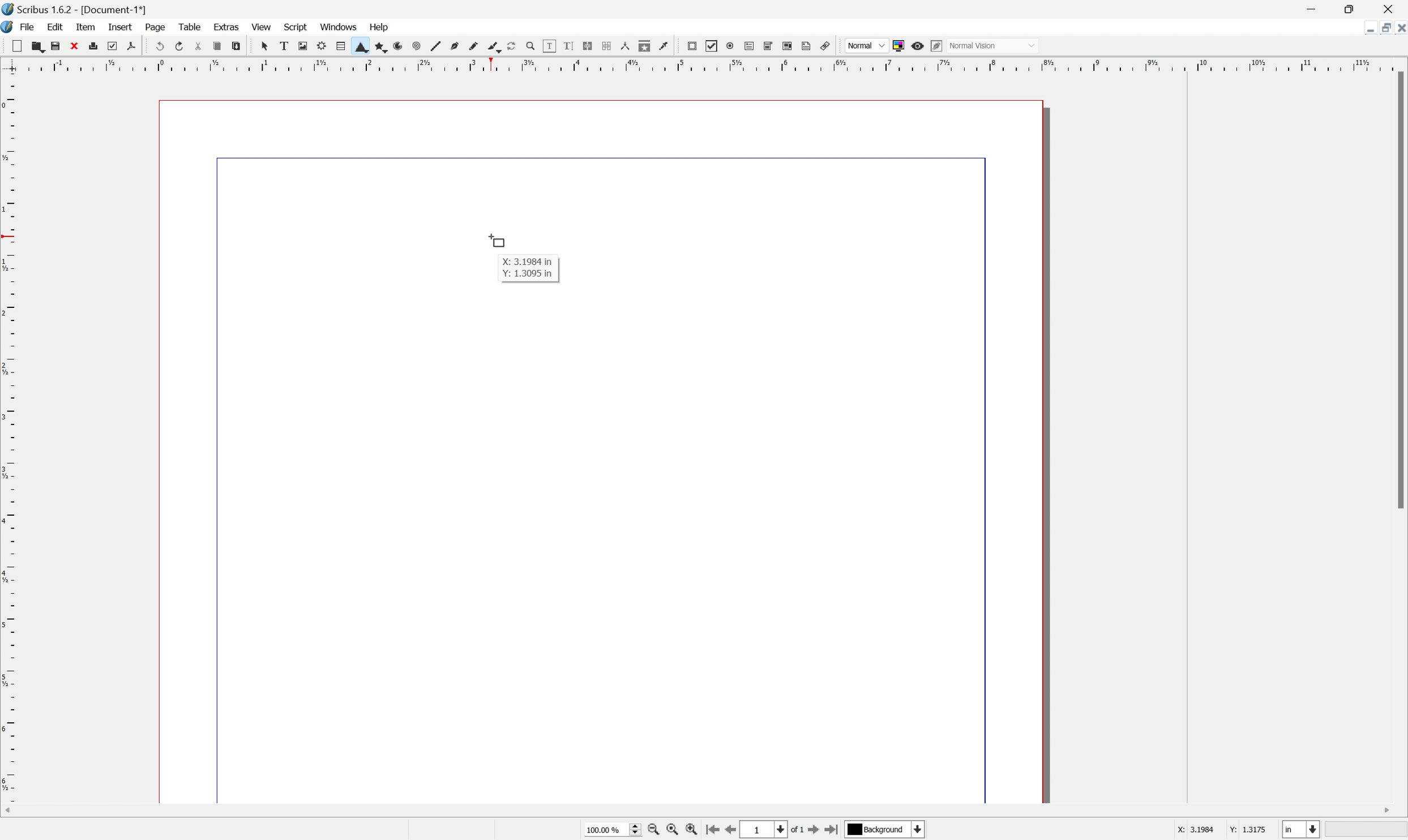 This screenshot has width=1408, height=840. I want to click on Save, so click(55, 44).